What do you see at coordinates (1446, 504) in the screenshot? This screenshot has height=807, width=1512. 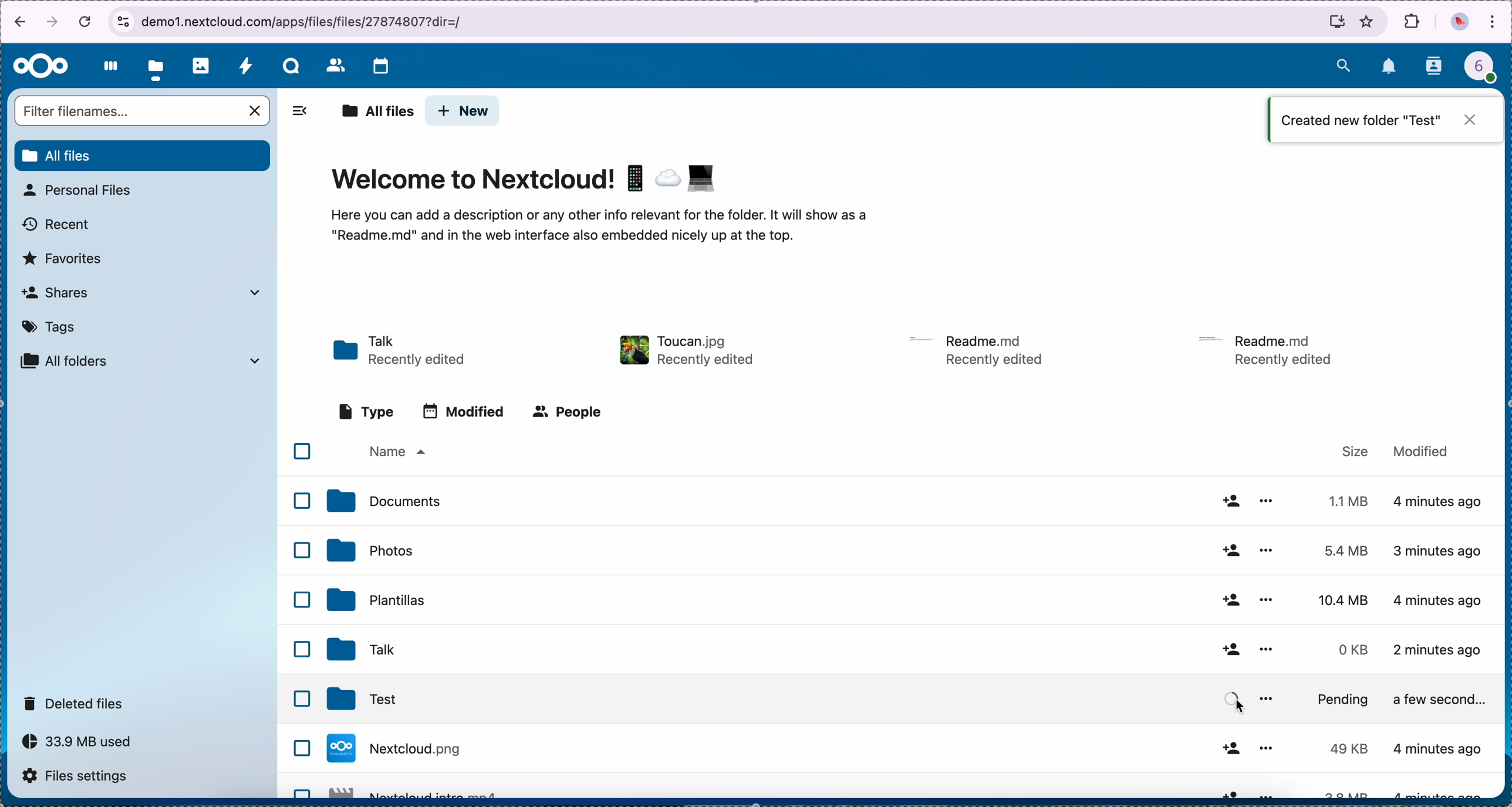 I see `3 minutes ago` at bounding box center [1446, 504].